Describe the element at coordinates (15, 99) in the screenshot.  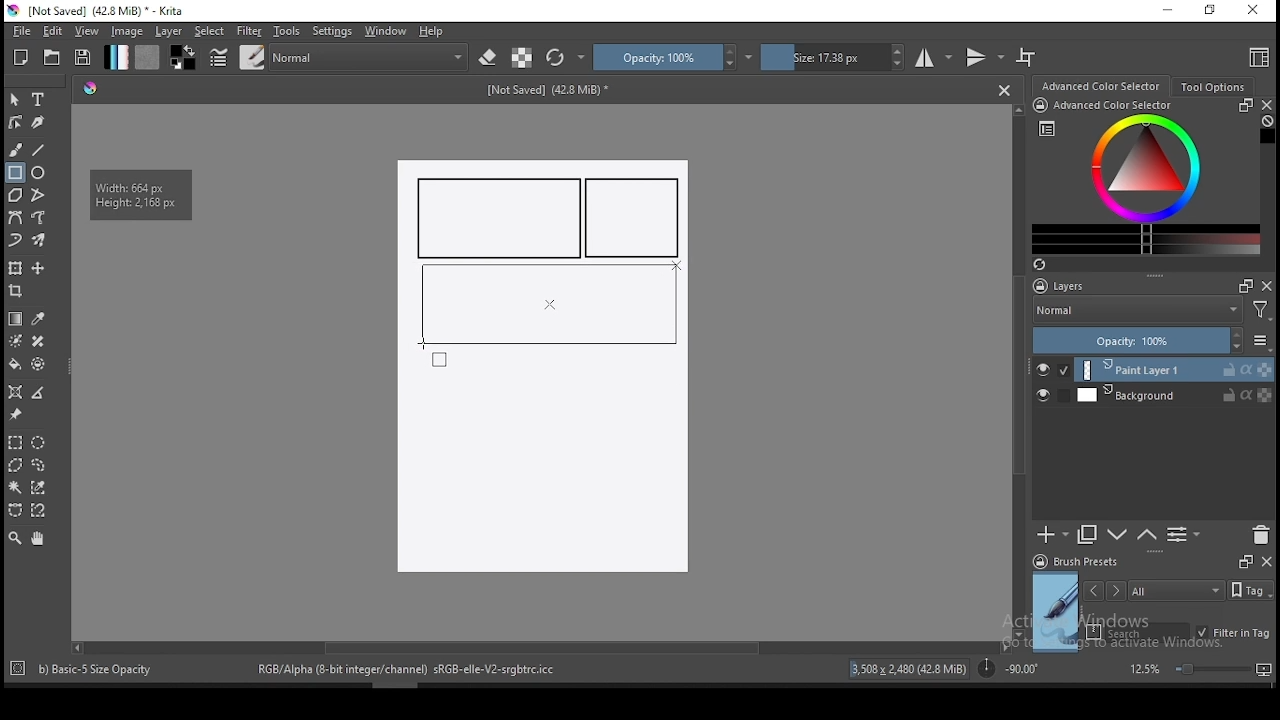
I see `select shapes tool` at that location.